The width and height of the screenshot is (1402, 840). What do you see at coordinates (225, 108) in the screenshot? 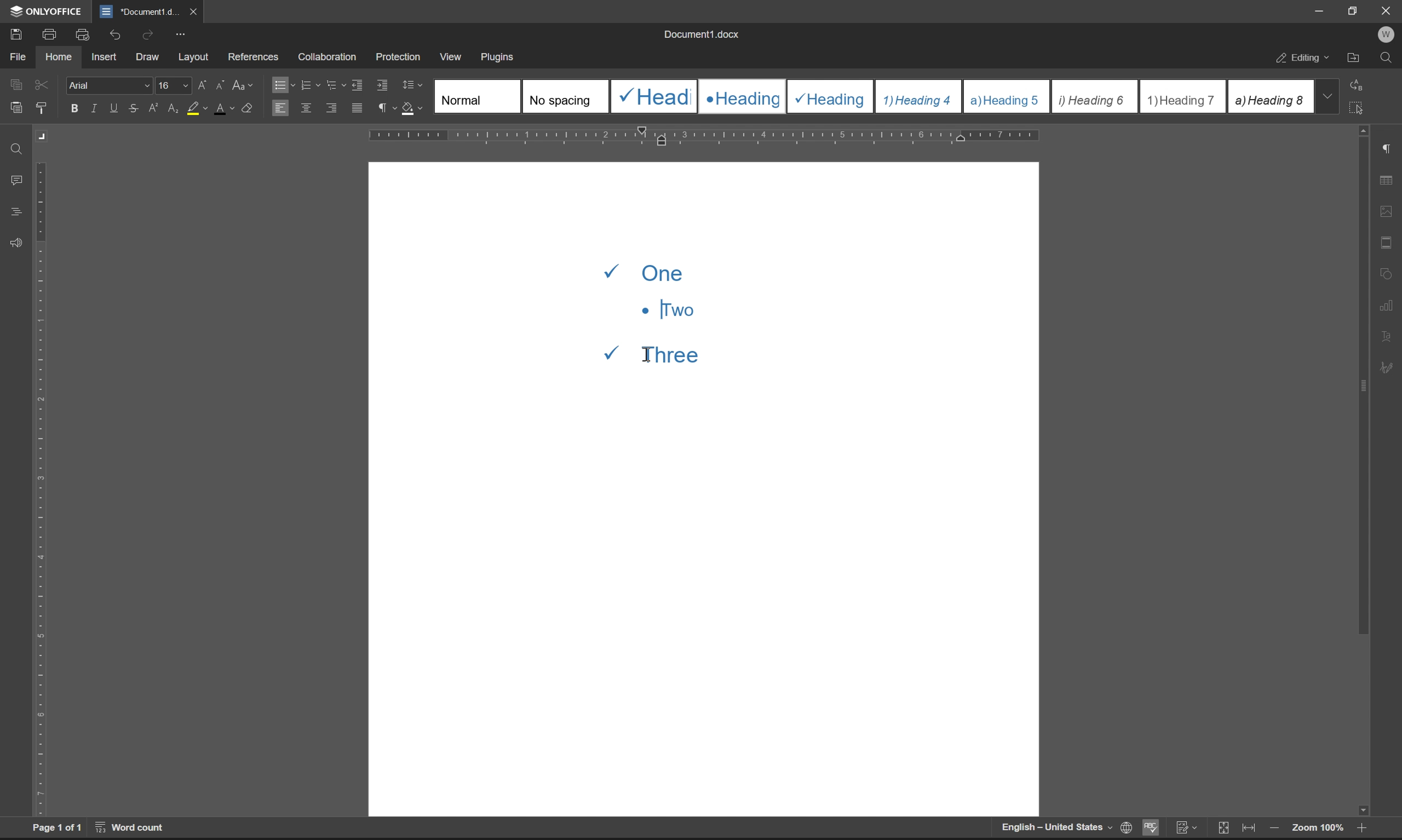
I see `font color` at bounding box center [225, 108].